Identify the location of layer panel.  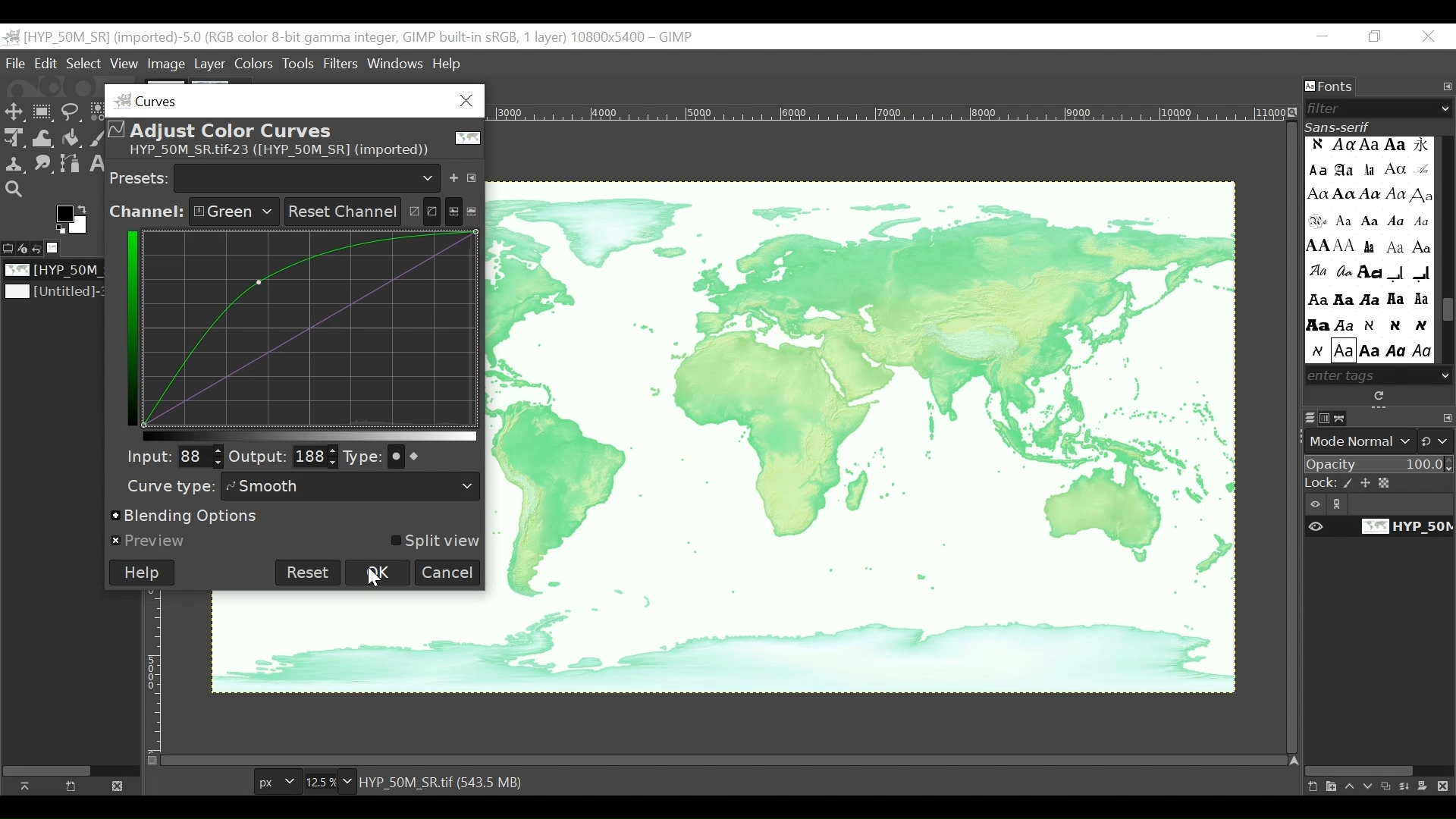
(1375, 782).